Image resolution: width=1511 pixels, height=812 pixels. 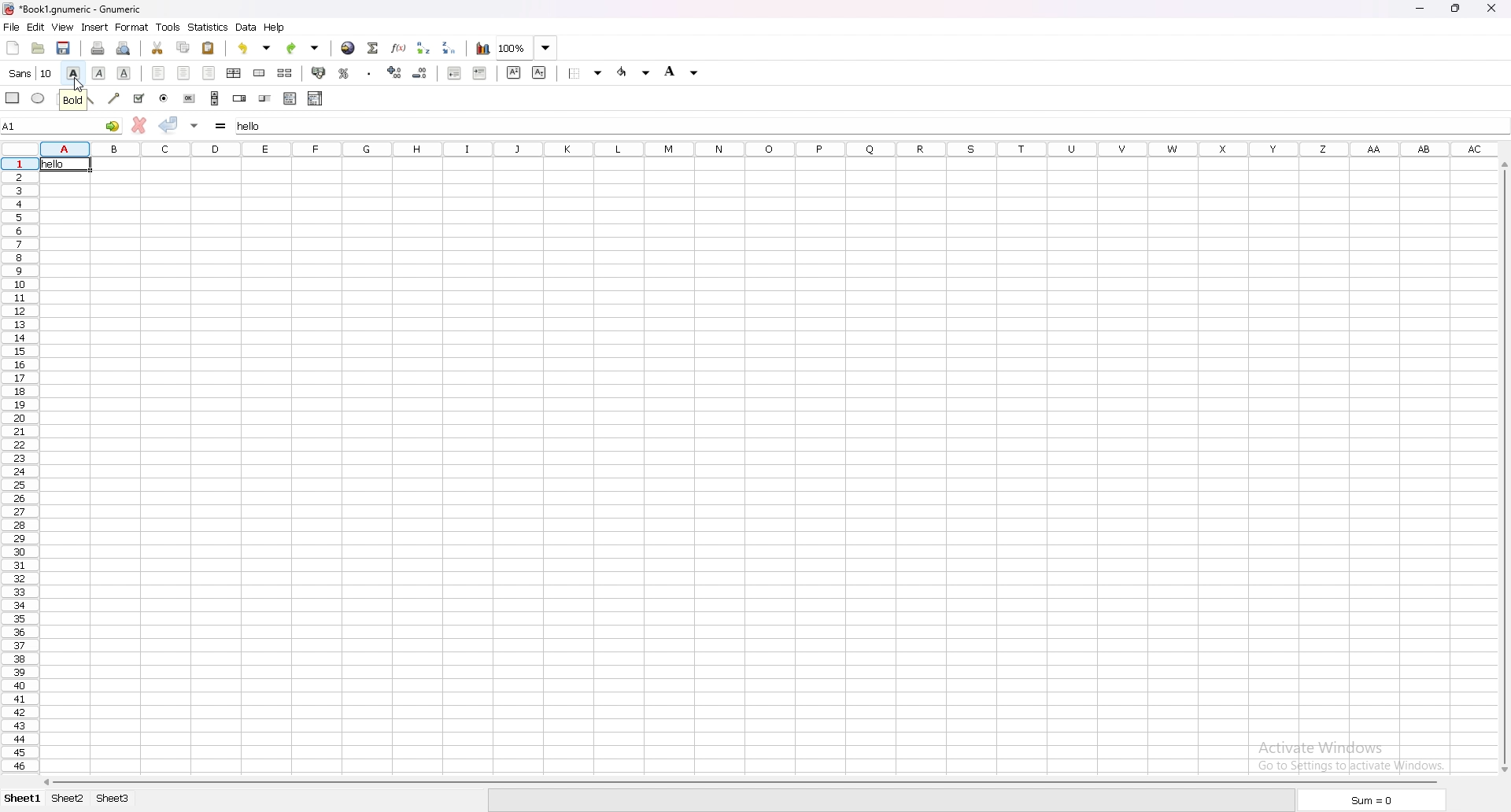 I want to click on accounting, so click(x=320, y=72).